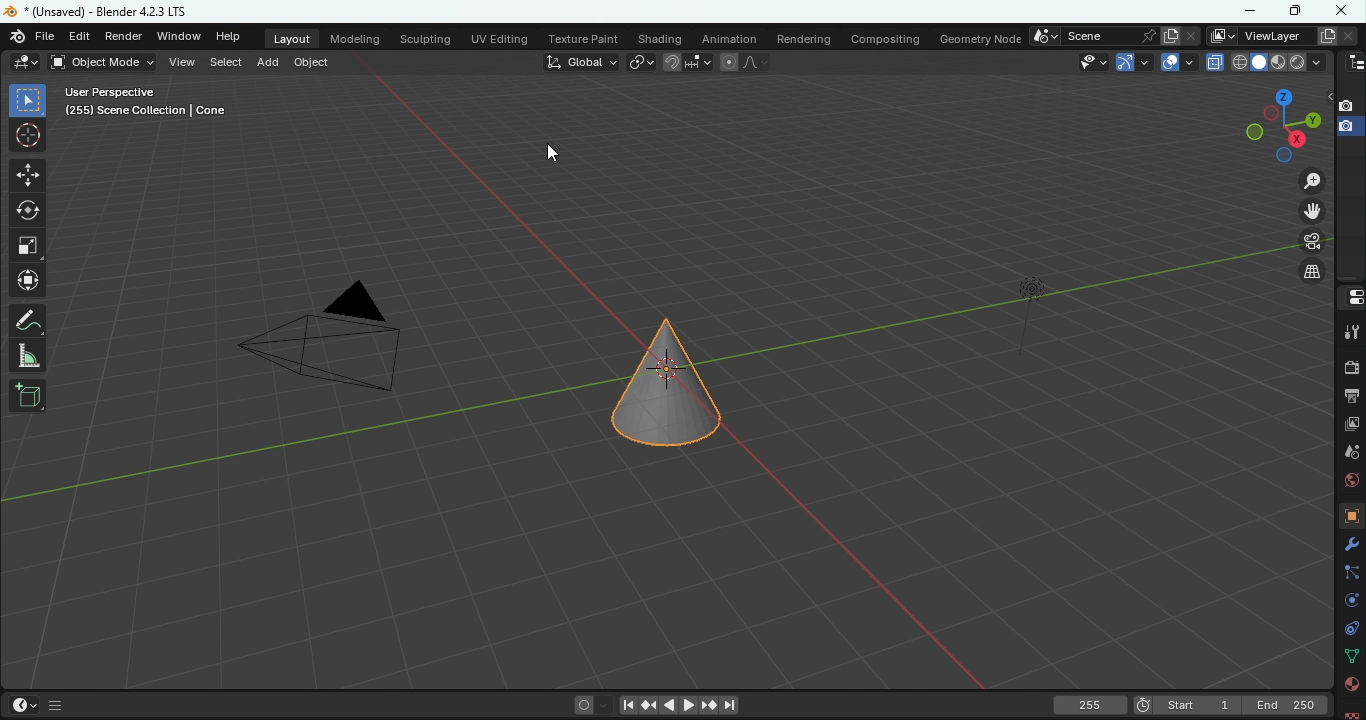 The height and width of the screenshot is (720, 1366). Describe the element at coordinates (1146, 60) in the screenshot. I see `Gizmos` at that location.